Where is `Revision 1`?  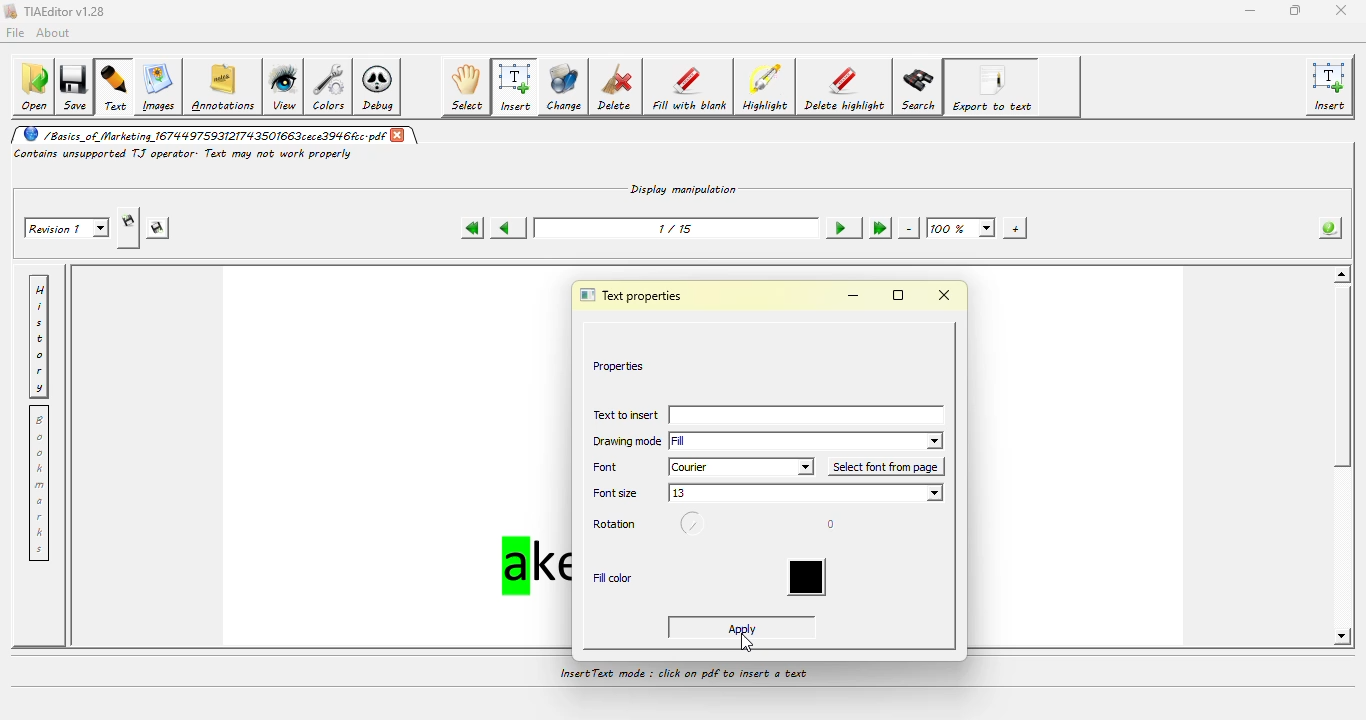 Revision 1 is located at coordinates (69, 227).